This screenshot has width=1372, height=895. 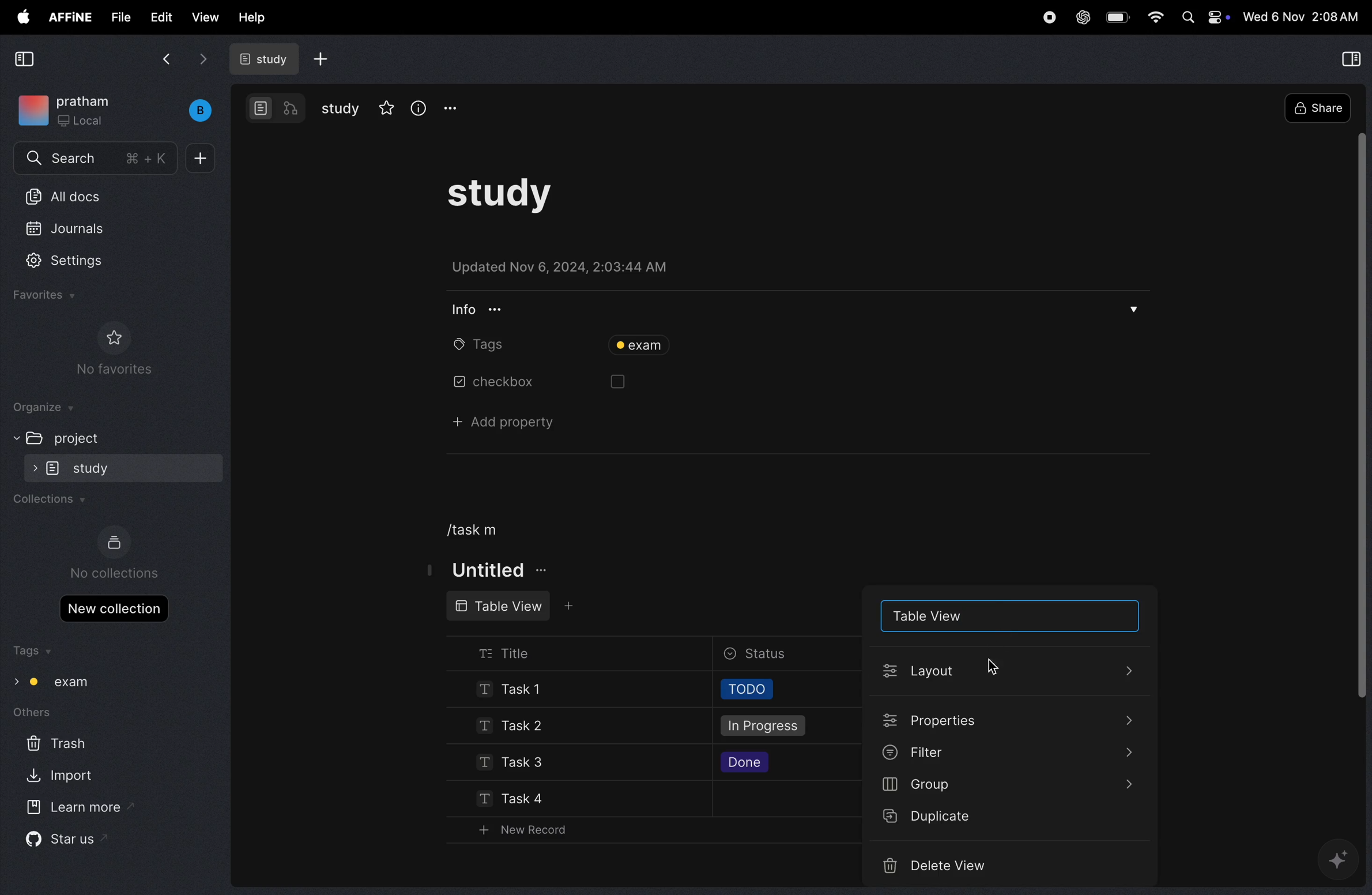 What do you see at coordinates (48, 298) in the screenshot?
I see `favourites` at bounding box center [48, 298].